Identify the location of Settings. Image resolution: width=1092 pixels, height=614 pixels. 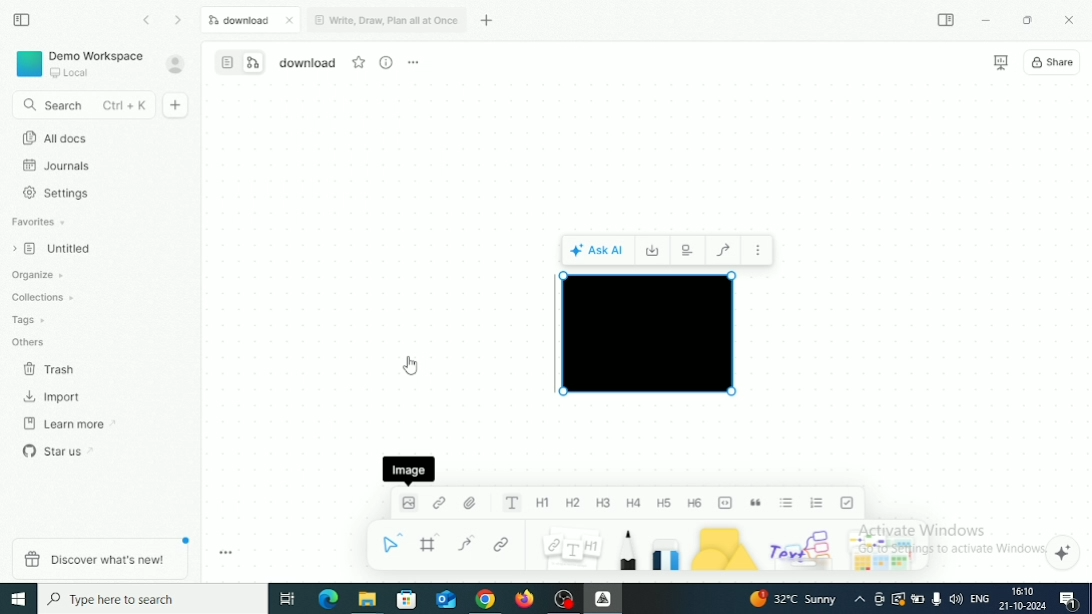
(56, 195).